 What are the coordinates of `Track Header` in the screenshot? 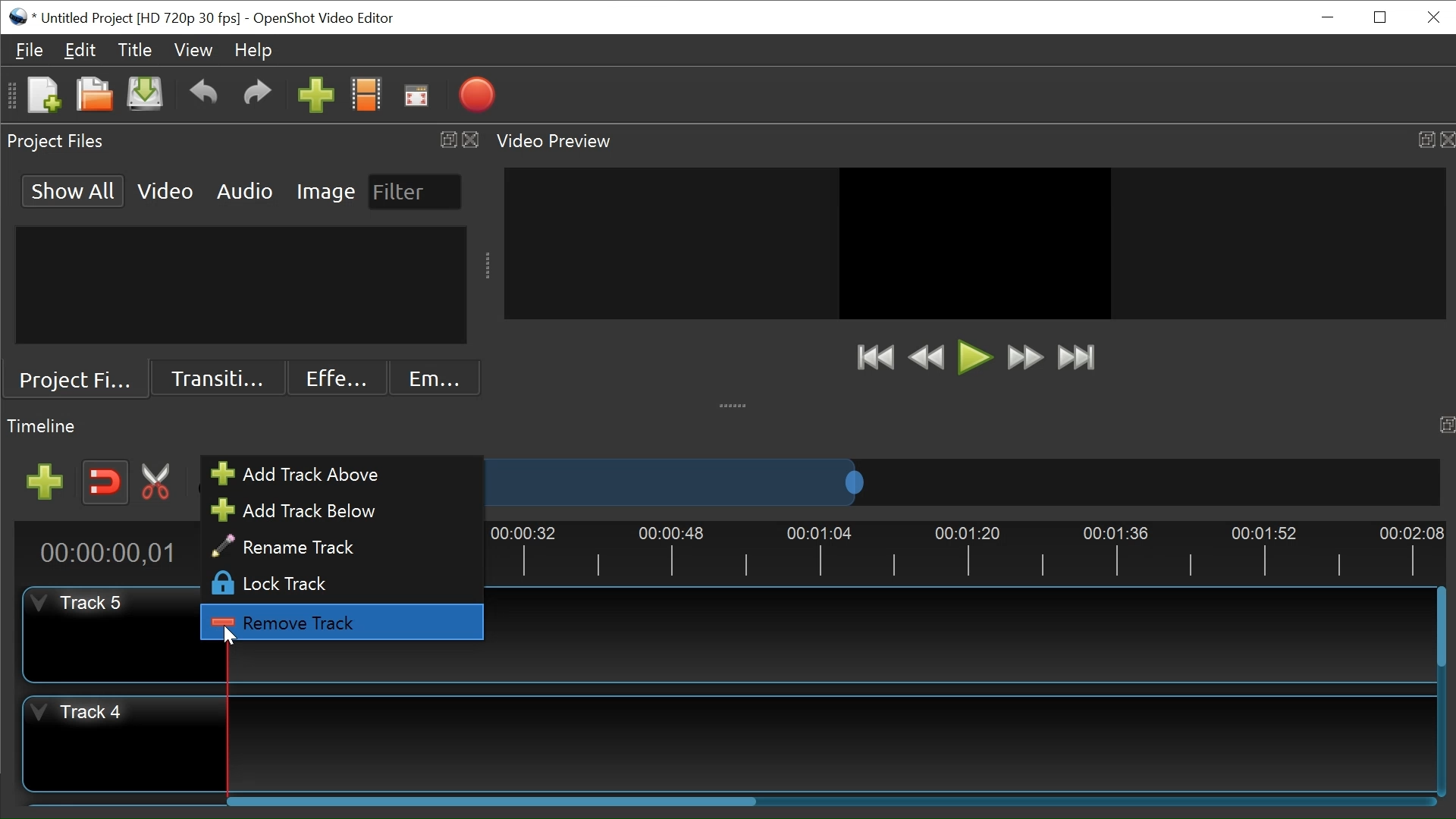 It's located at (95, 632).